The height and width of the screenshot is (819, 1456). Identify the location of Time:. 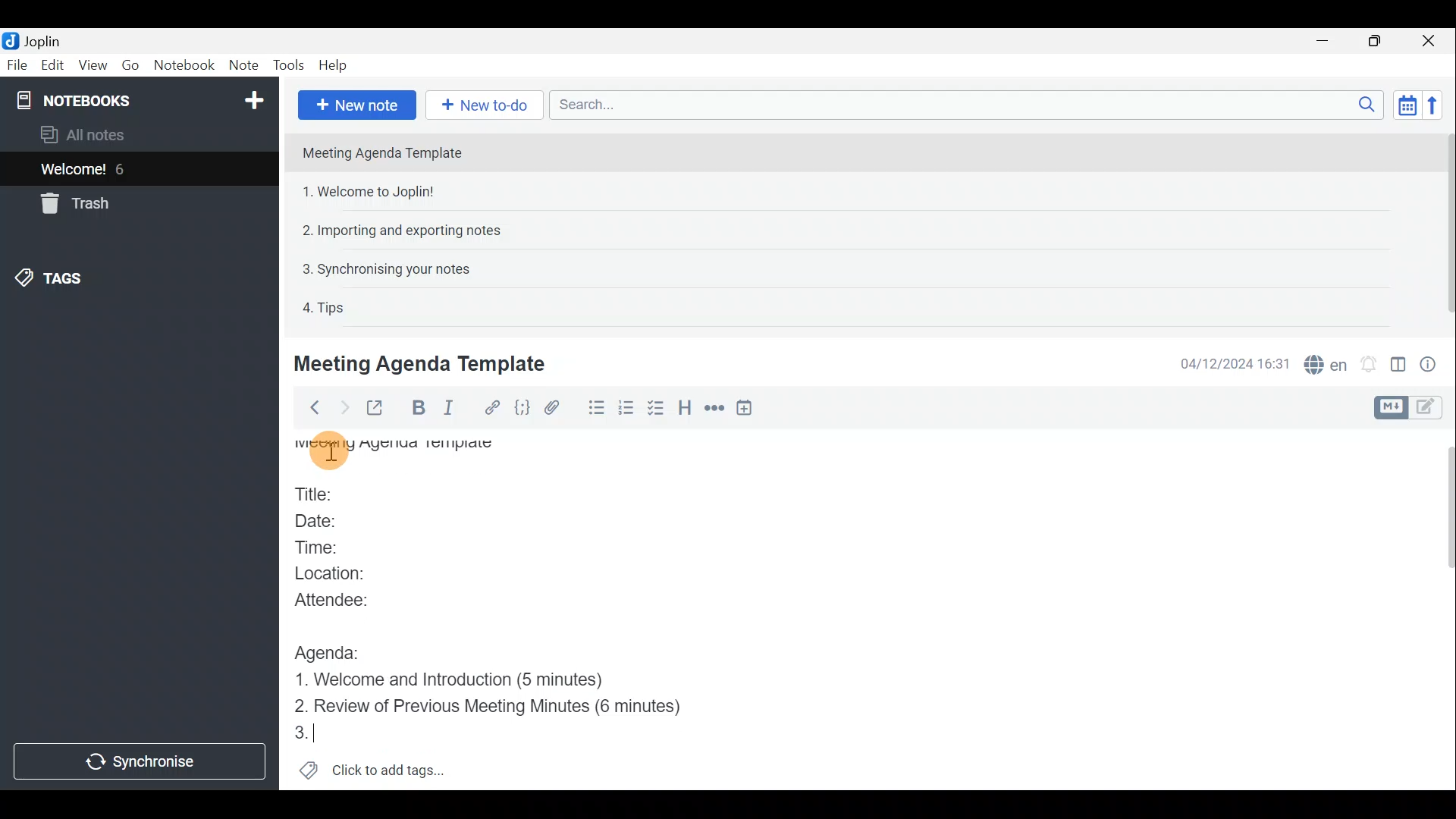
(322, 548).